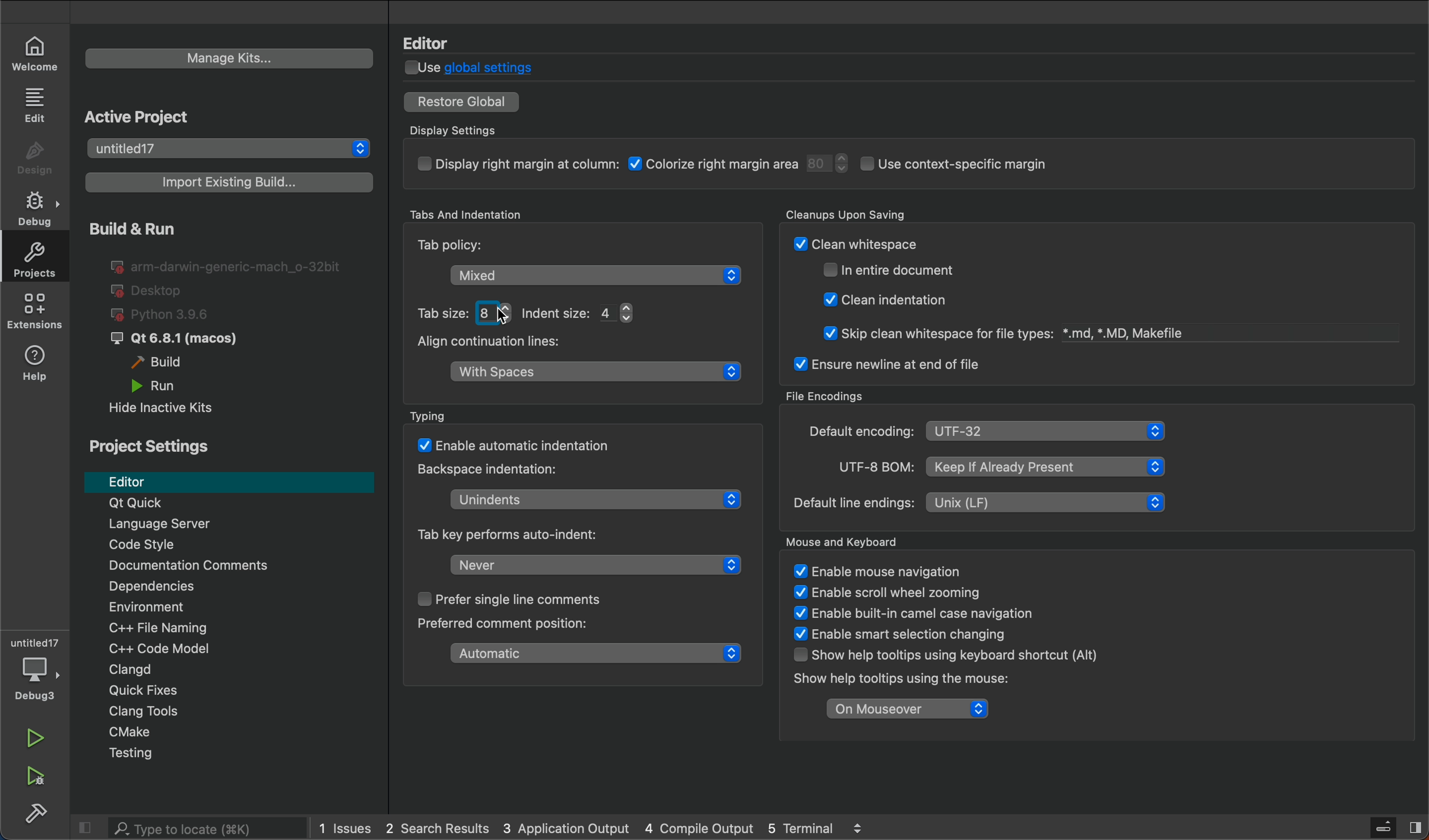 The width and height of the screenshot is (1429, 840). Describe the element at coordinates (566, 829) in the screenshot. I see `application output` at that location.